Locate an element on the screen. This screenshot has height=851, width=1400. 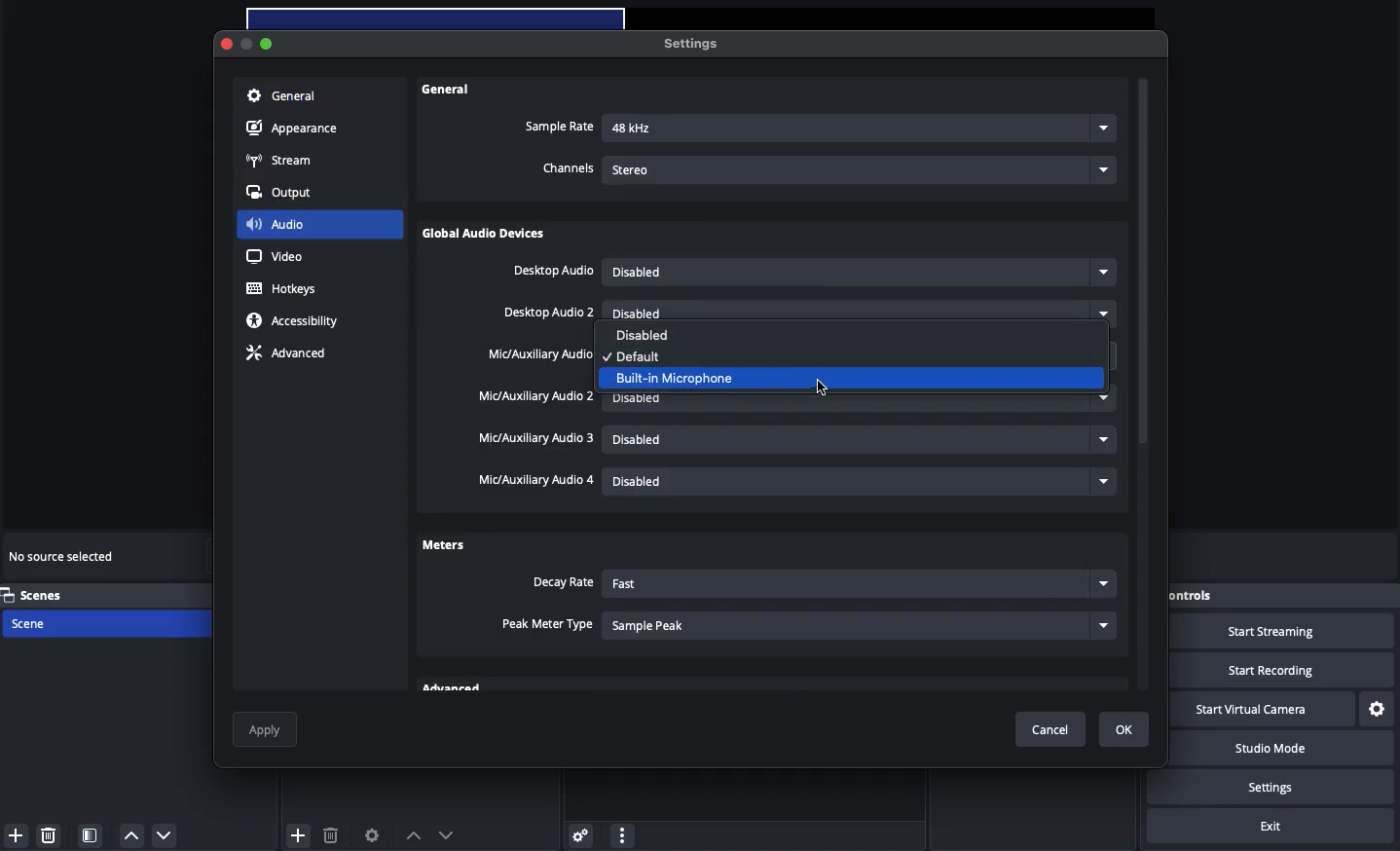
Add is located at coordinates (16, 835).